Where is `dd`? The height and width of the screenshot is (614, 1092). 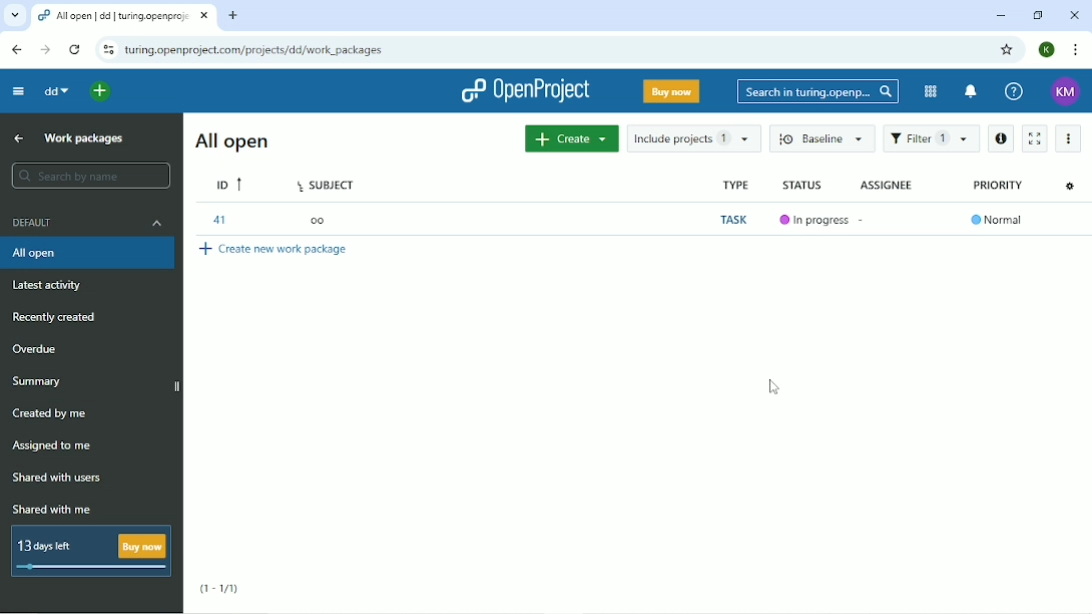
dd is located at coordinates (56, 92).